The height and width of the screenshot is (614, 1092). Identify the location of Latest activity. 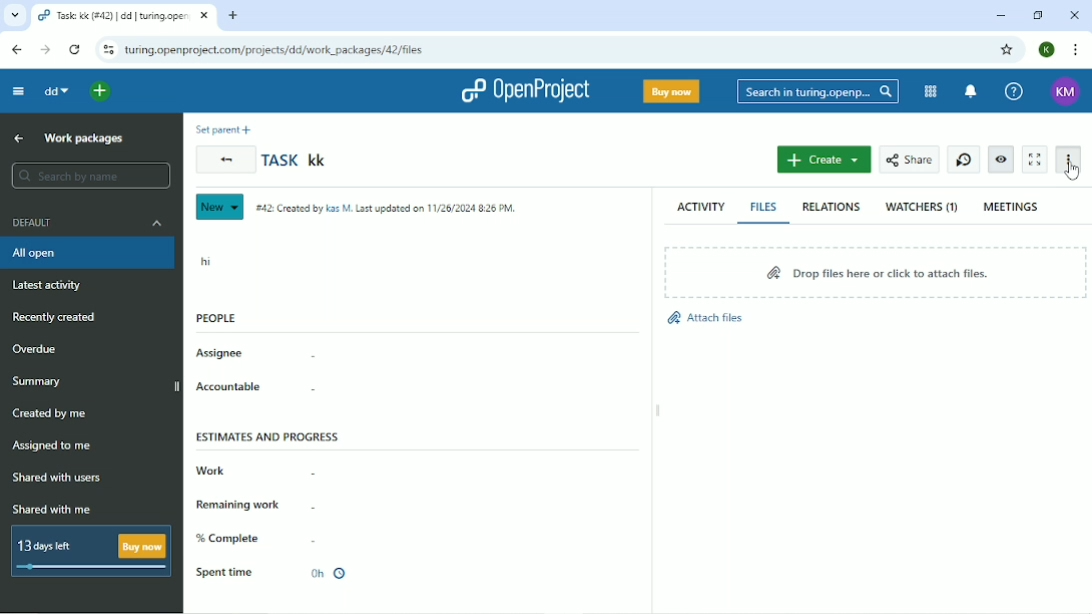
(46, 286).